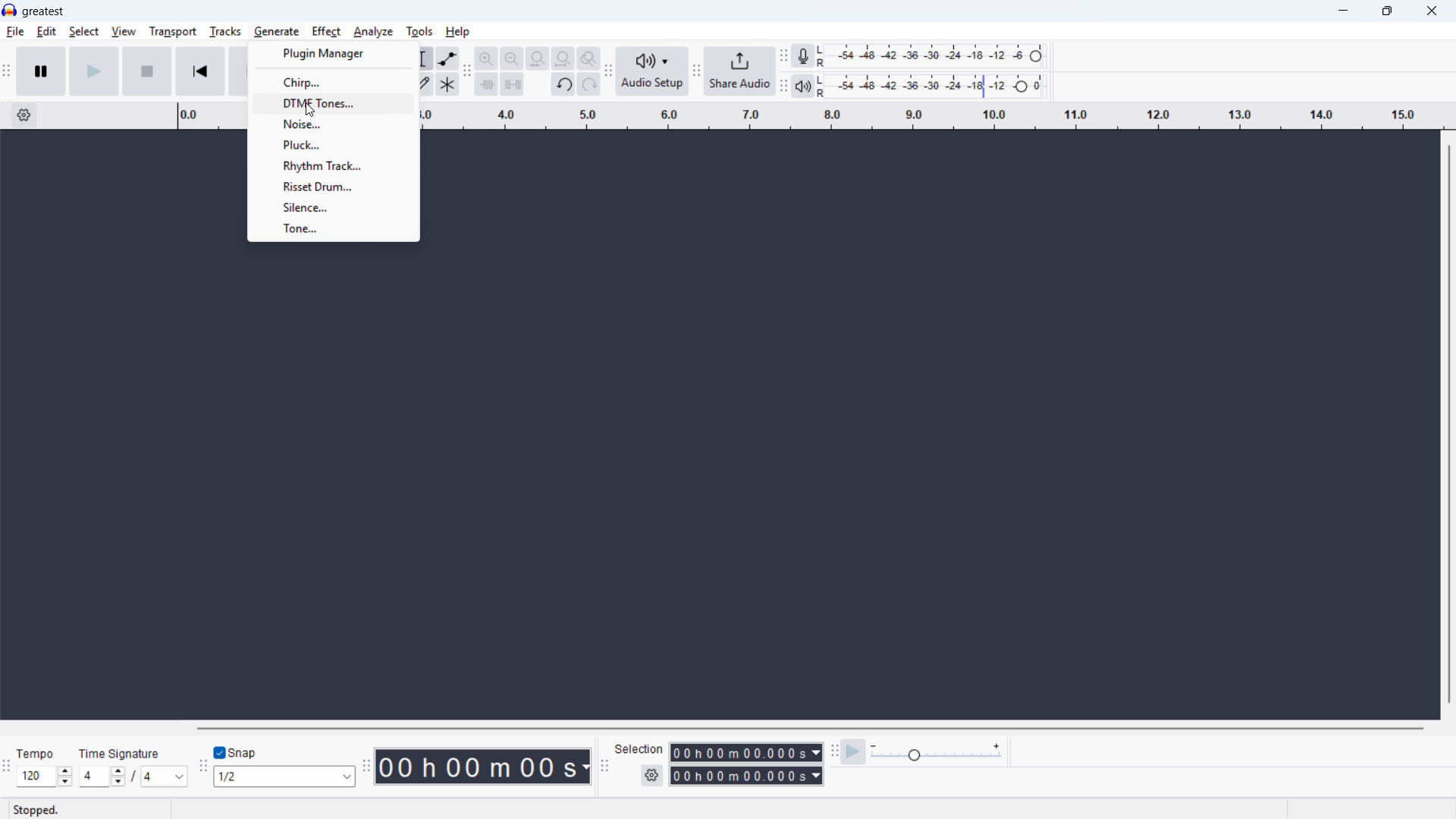 The image size is (1456, 819). What do you see at coordinates (696, 73) in the screenshot?
I see `share audio toolbar` at bounding box center [696, 73].